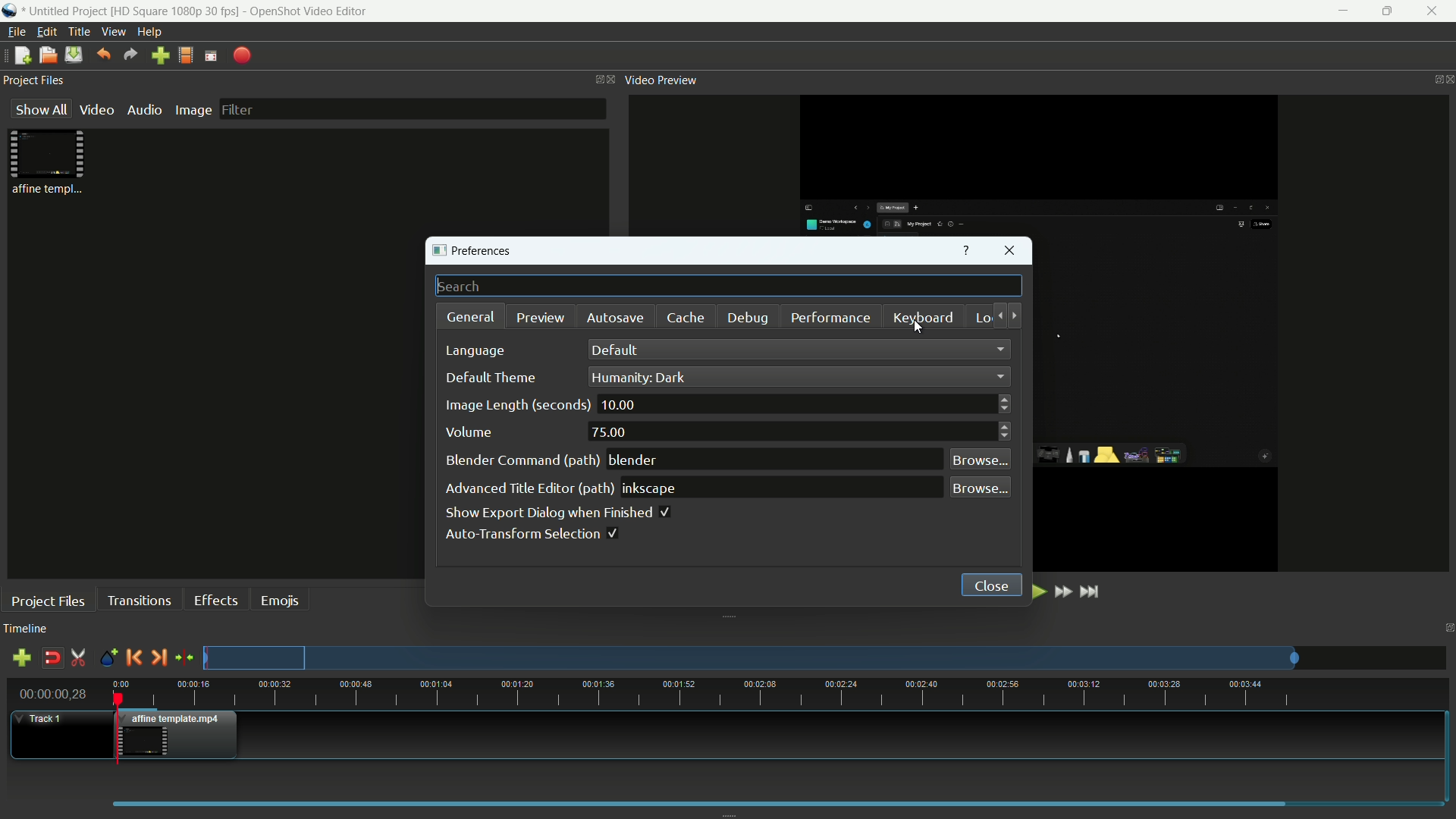  What do you see at coordinates (479, 351) in the screenshot?
I see `language` at bounding box center [479, 351].